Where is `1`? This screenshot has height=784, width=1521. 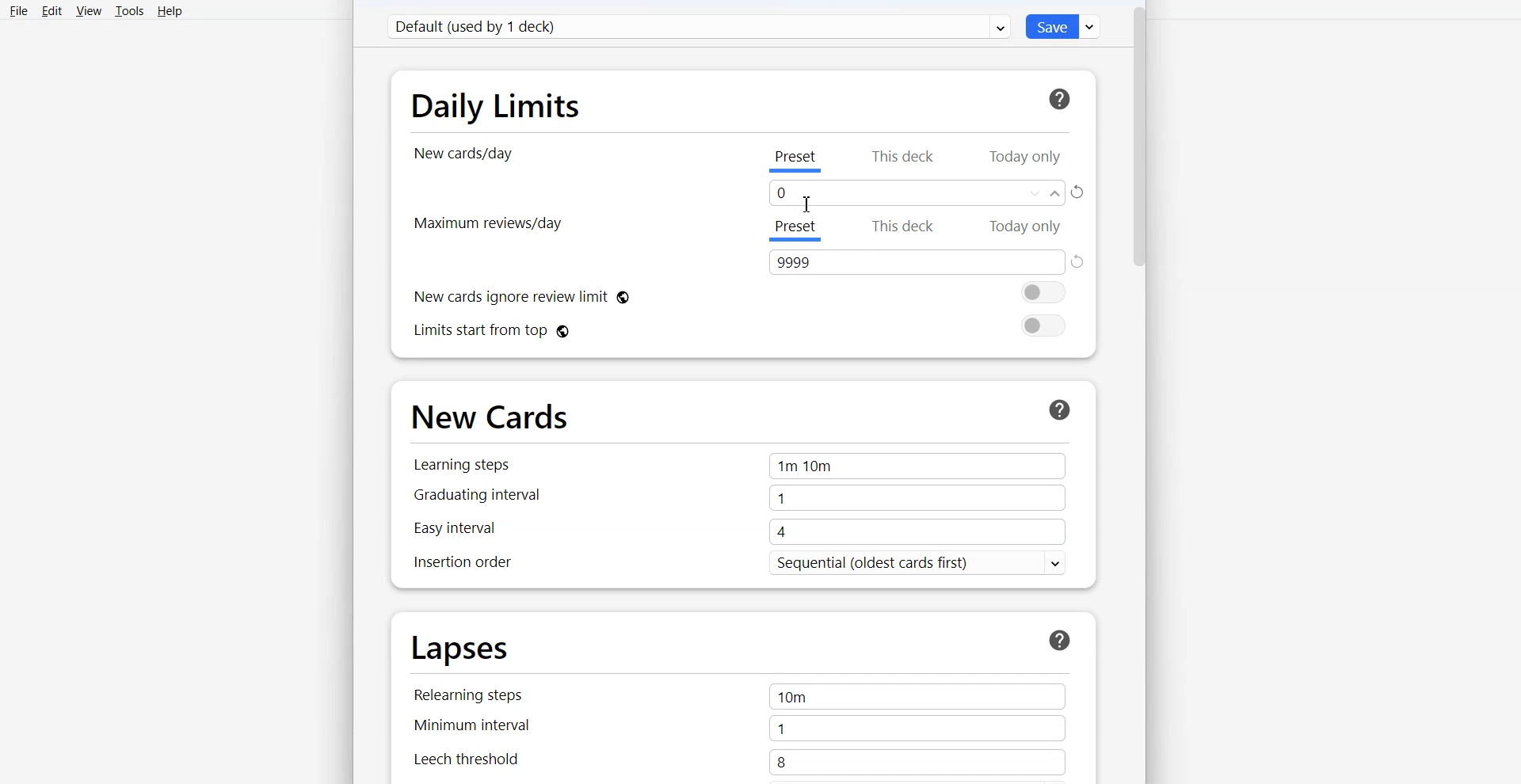 1 is located at coordinates (921, 728).